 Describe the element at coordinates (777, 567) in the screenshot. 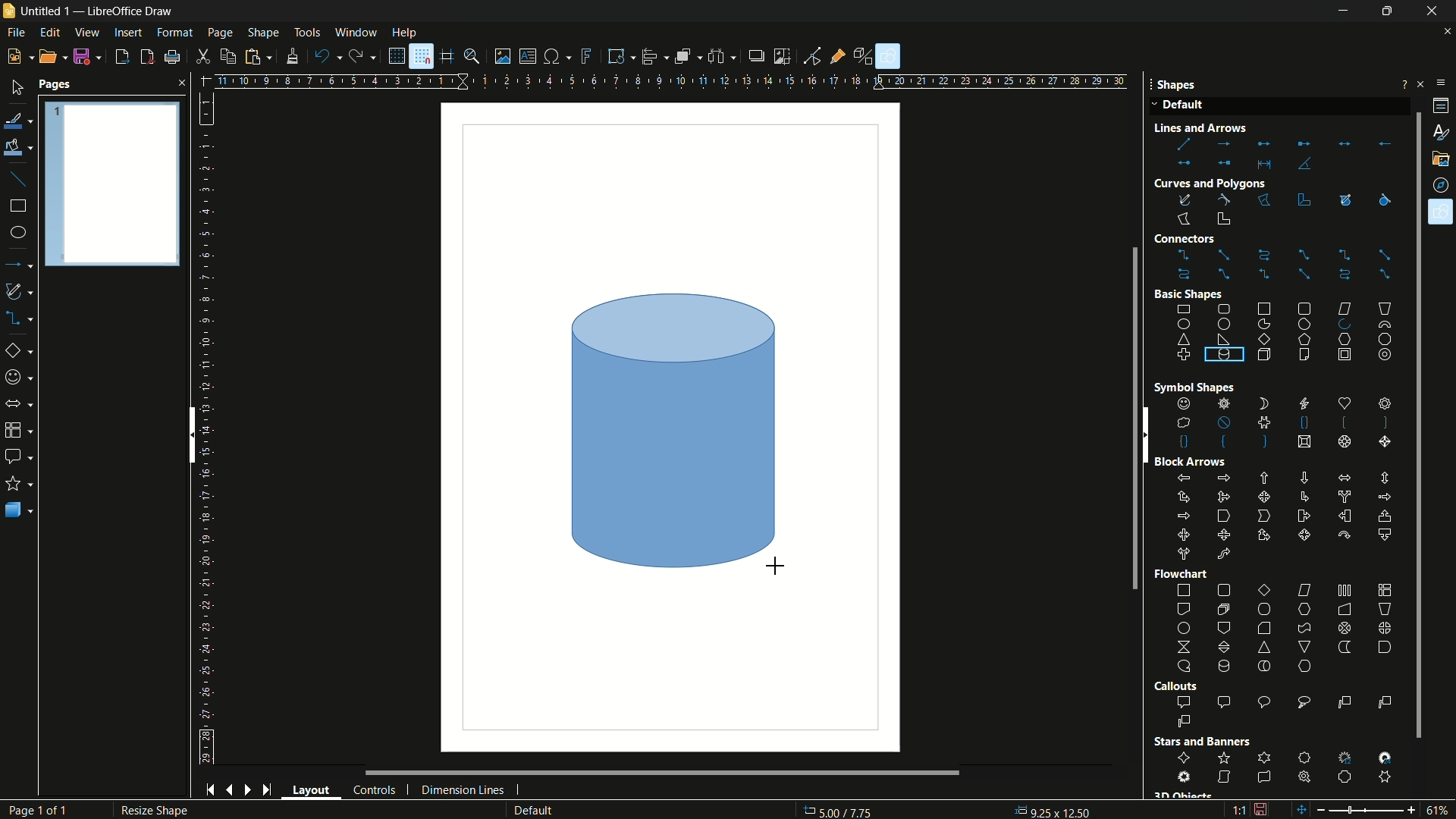

I see `cursor` at that location.